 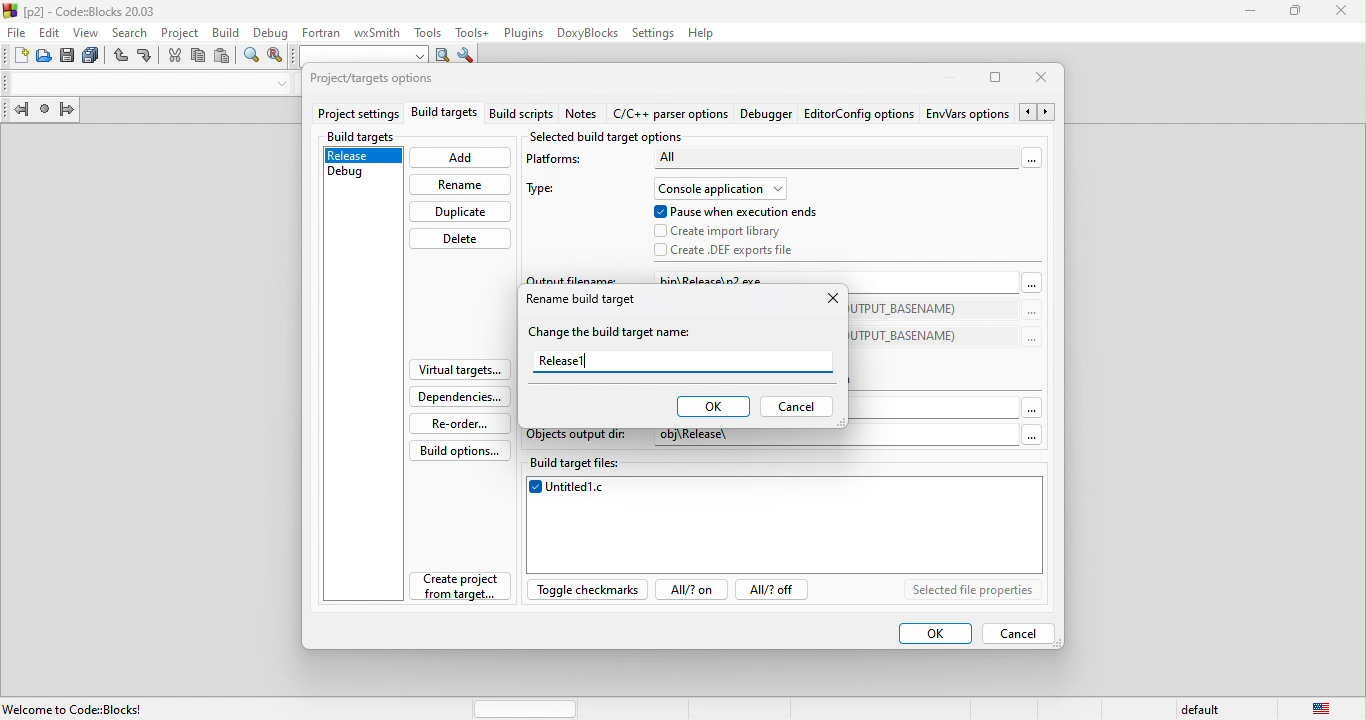 What do you see at coordinates (15, 33) in the screenshot?
I see `file` at bounding box center [15, 33].